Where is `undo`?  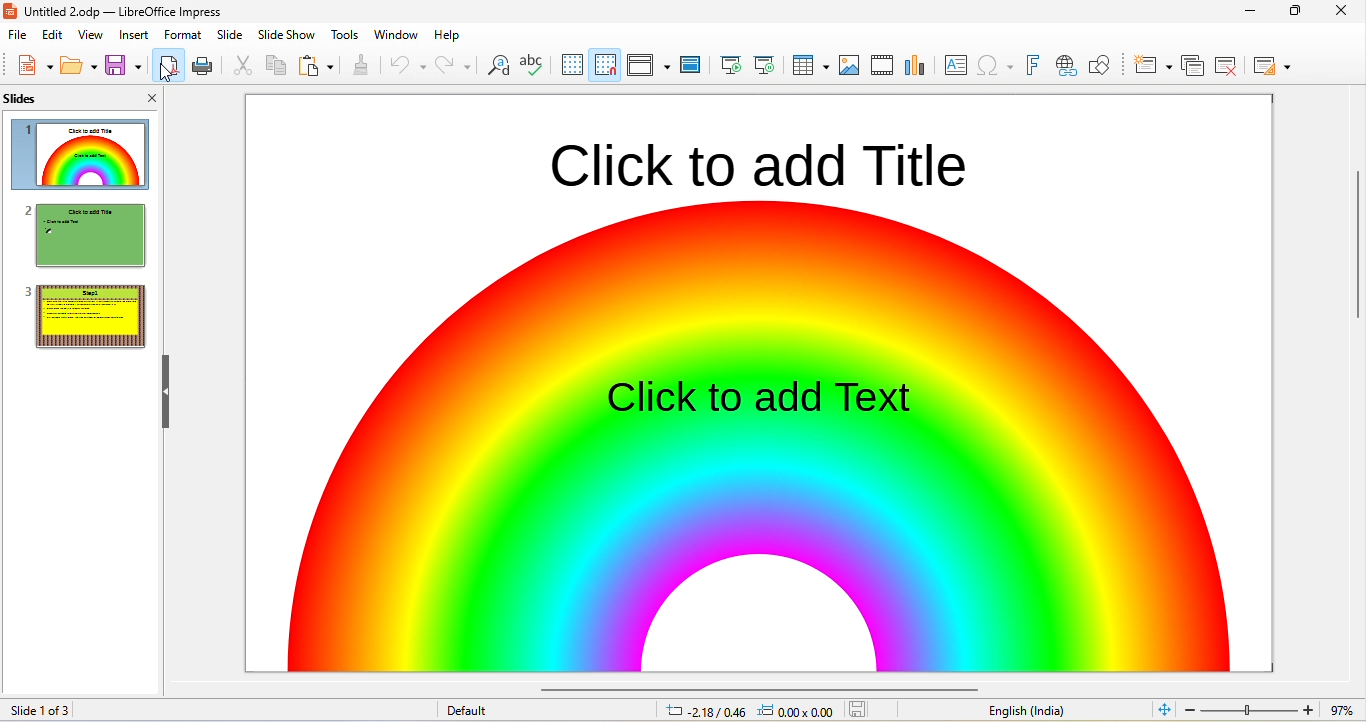 undo is located at coordinates (406, 64).